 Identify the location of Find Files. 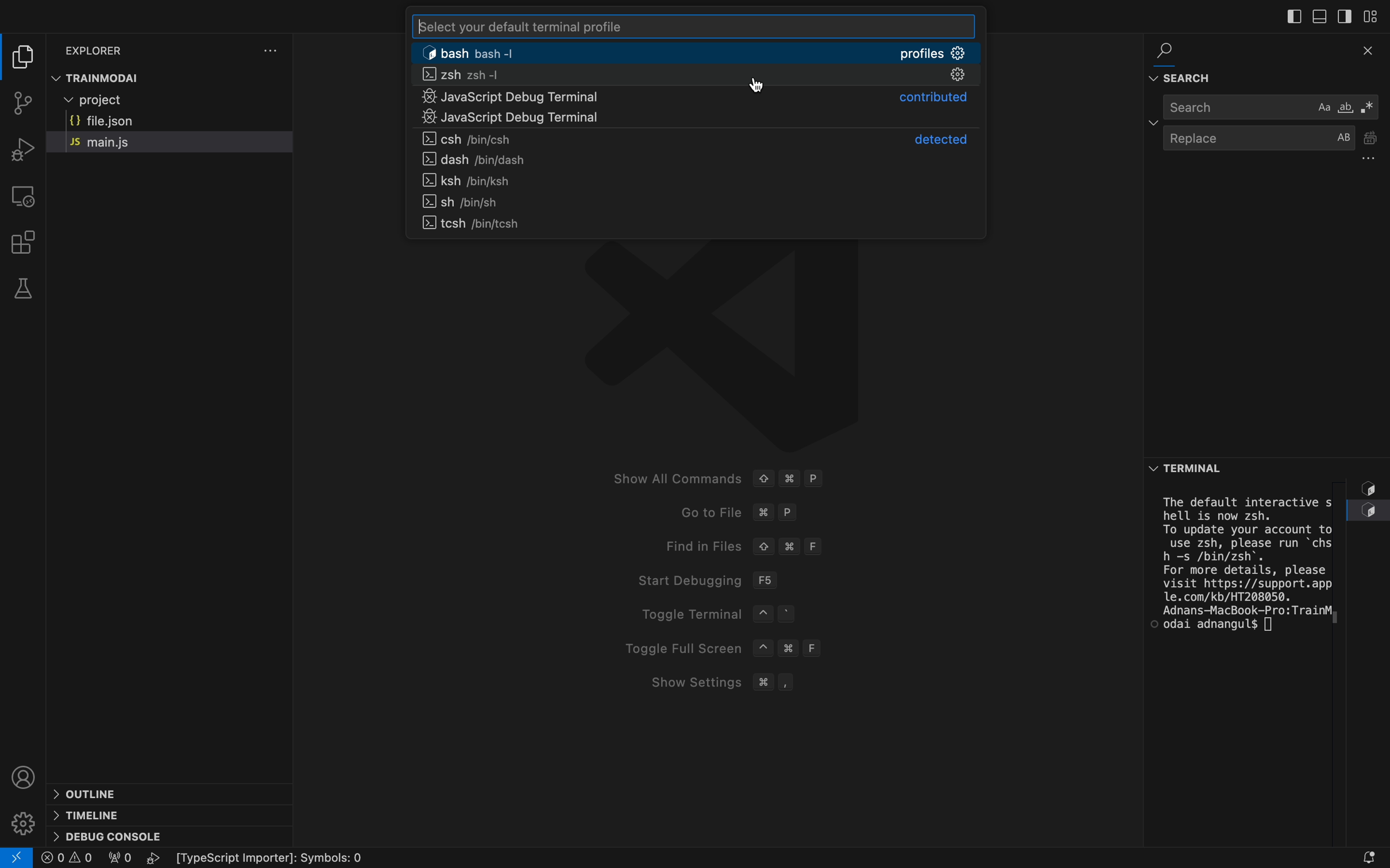
(805, 545).